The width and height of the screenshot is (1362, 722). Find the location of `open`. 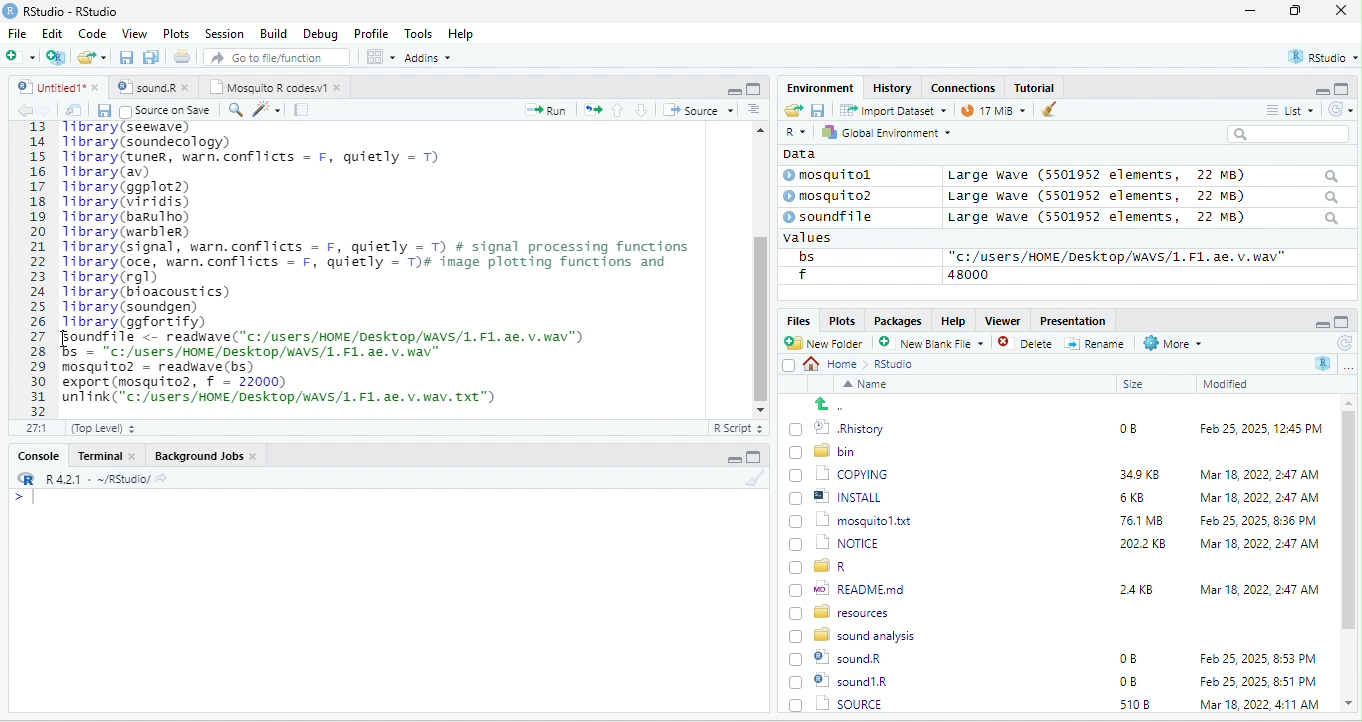

open is located at coordinates (184, 59).